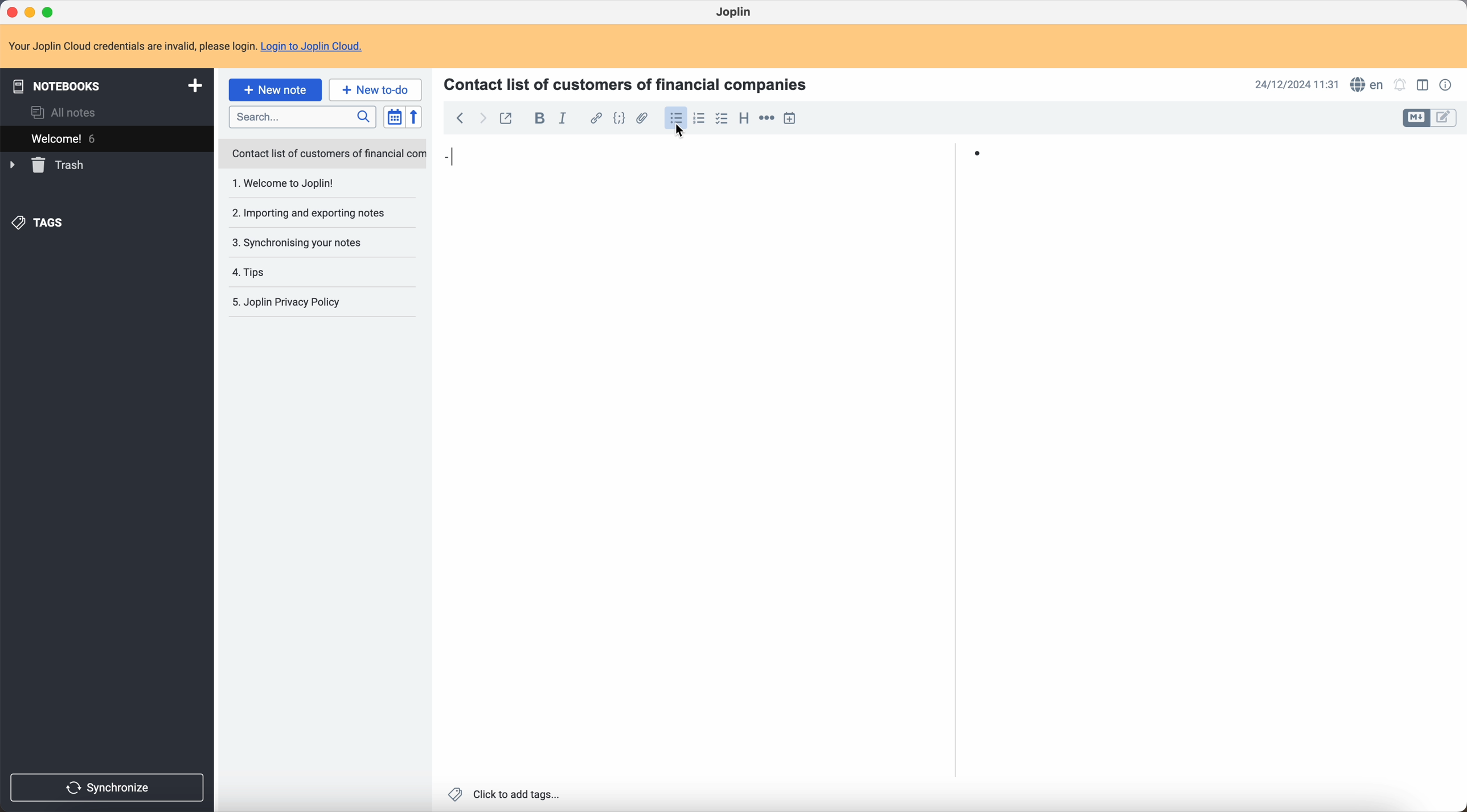 The height and width of the screenshot is (812, 1467). Describe the element at coordinates (1205, 475) in the screenshot. I see `body text` at that location.